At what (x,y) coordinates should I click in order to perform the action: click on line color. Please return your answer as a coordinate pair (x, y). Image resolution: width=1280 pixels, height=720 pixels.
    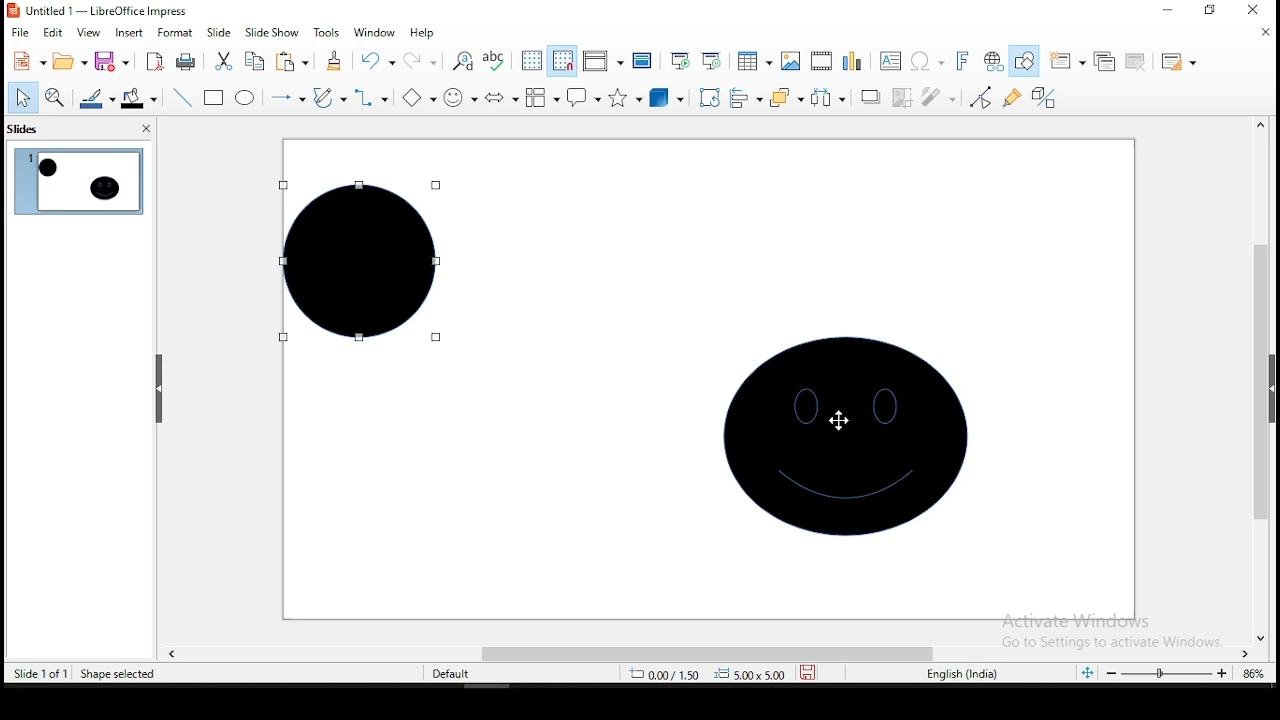
    Looking at the image, I should click on (96, 101).